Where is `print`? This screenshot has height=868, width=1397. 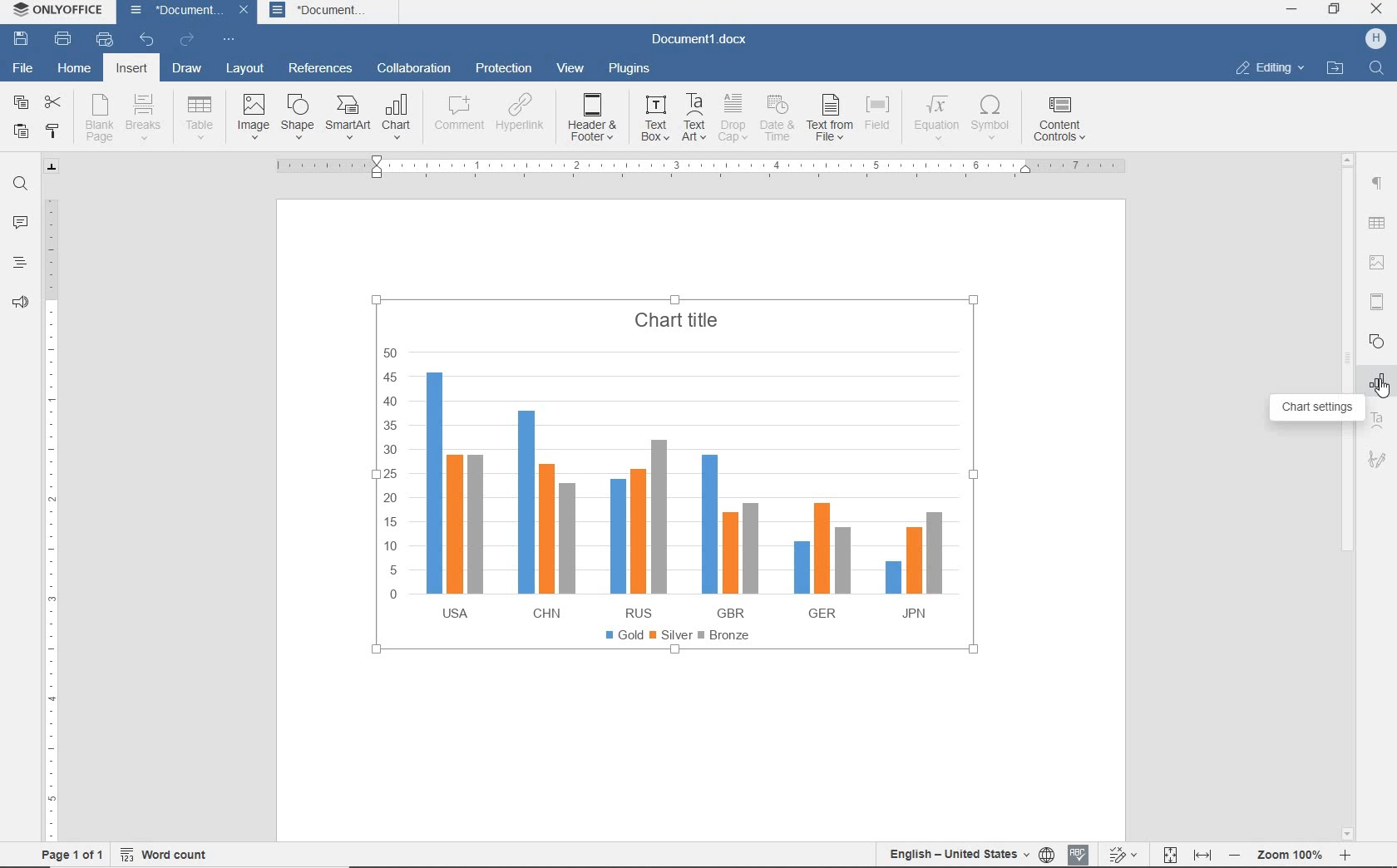
print is located at coordinates (62, 40).